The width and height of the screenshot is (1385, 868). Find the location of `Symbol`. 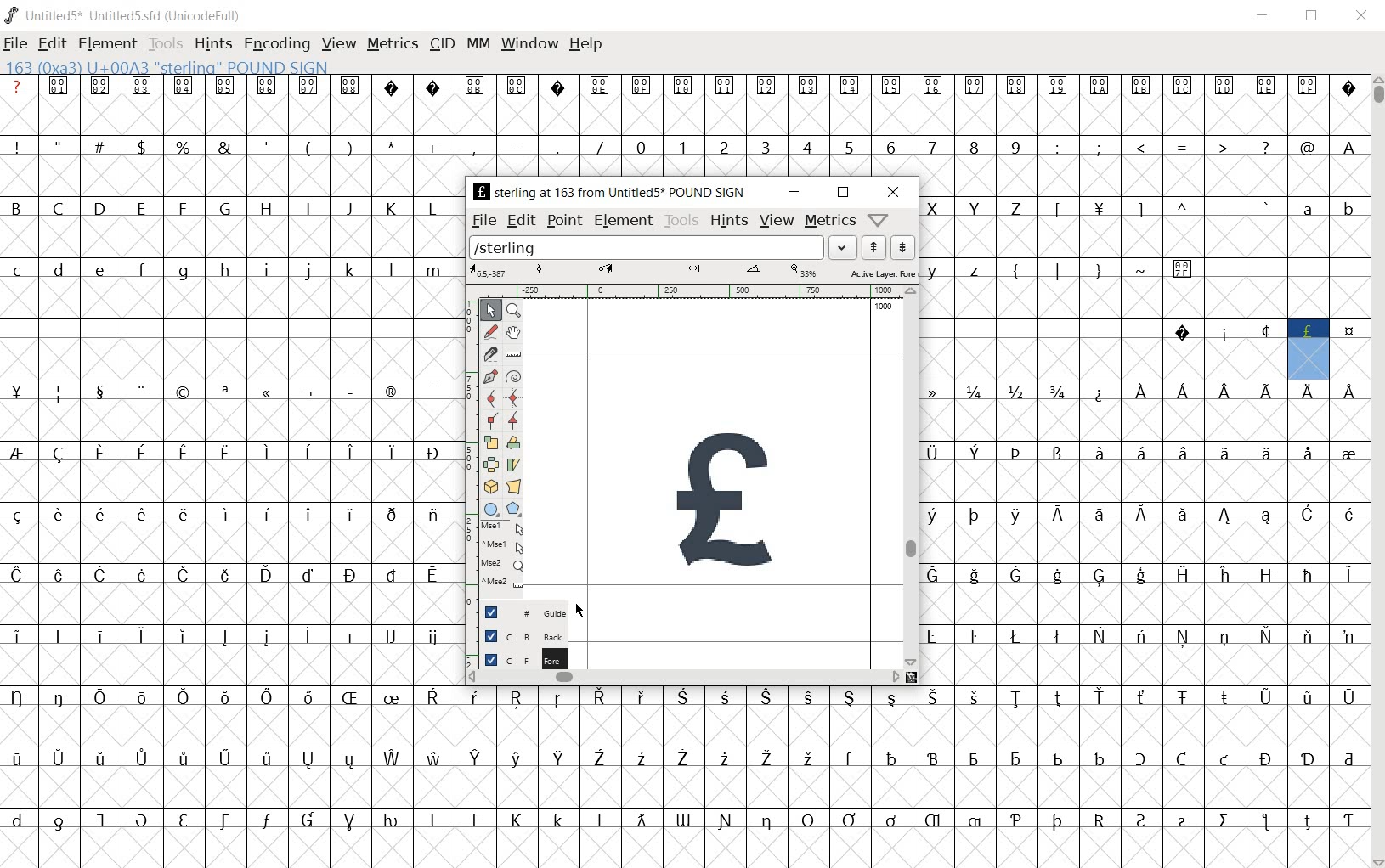

Symbol is located at coordinates (432, 757).